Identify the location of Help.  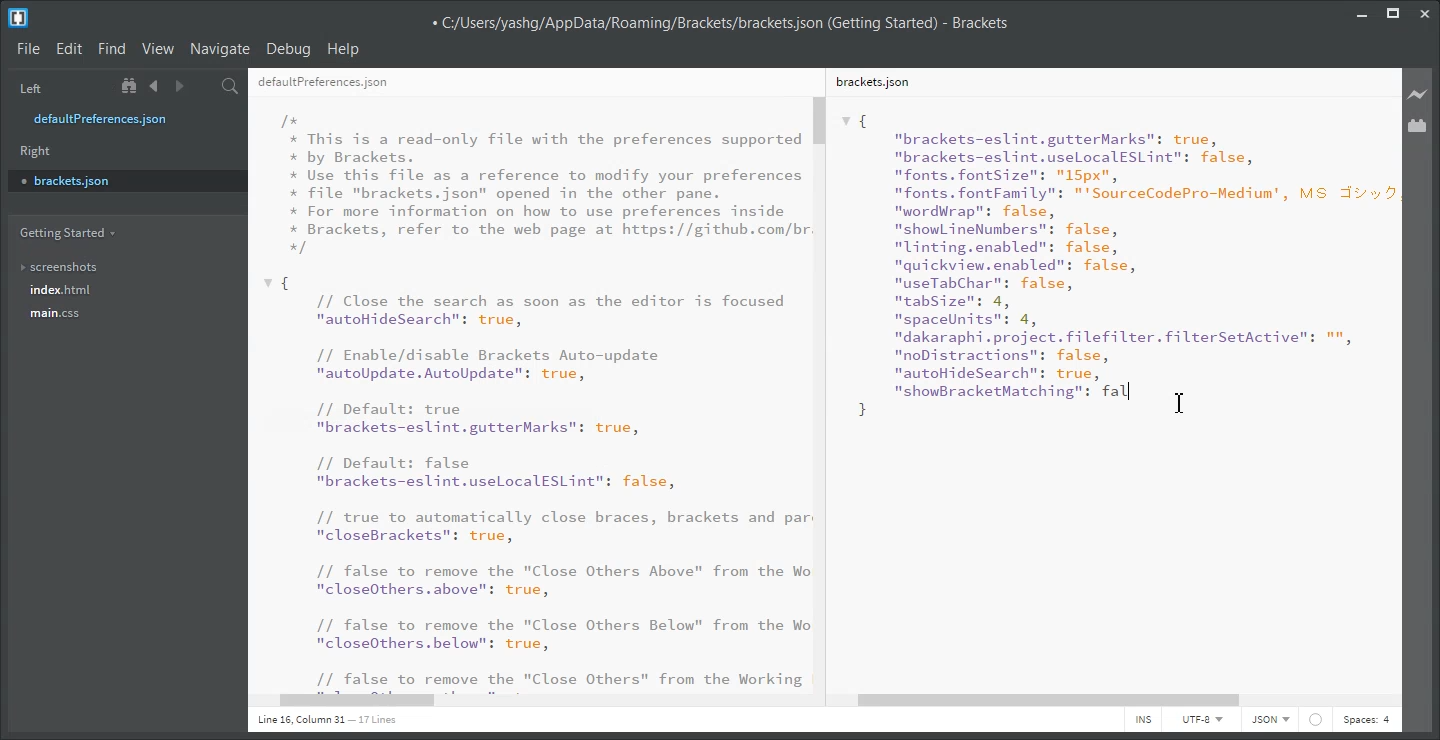
(345, 49).